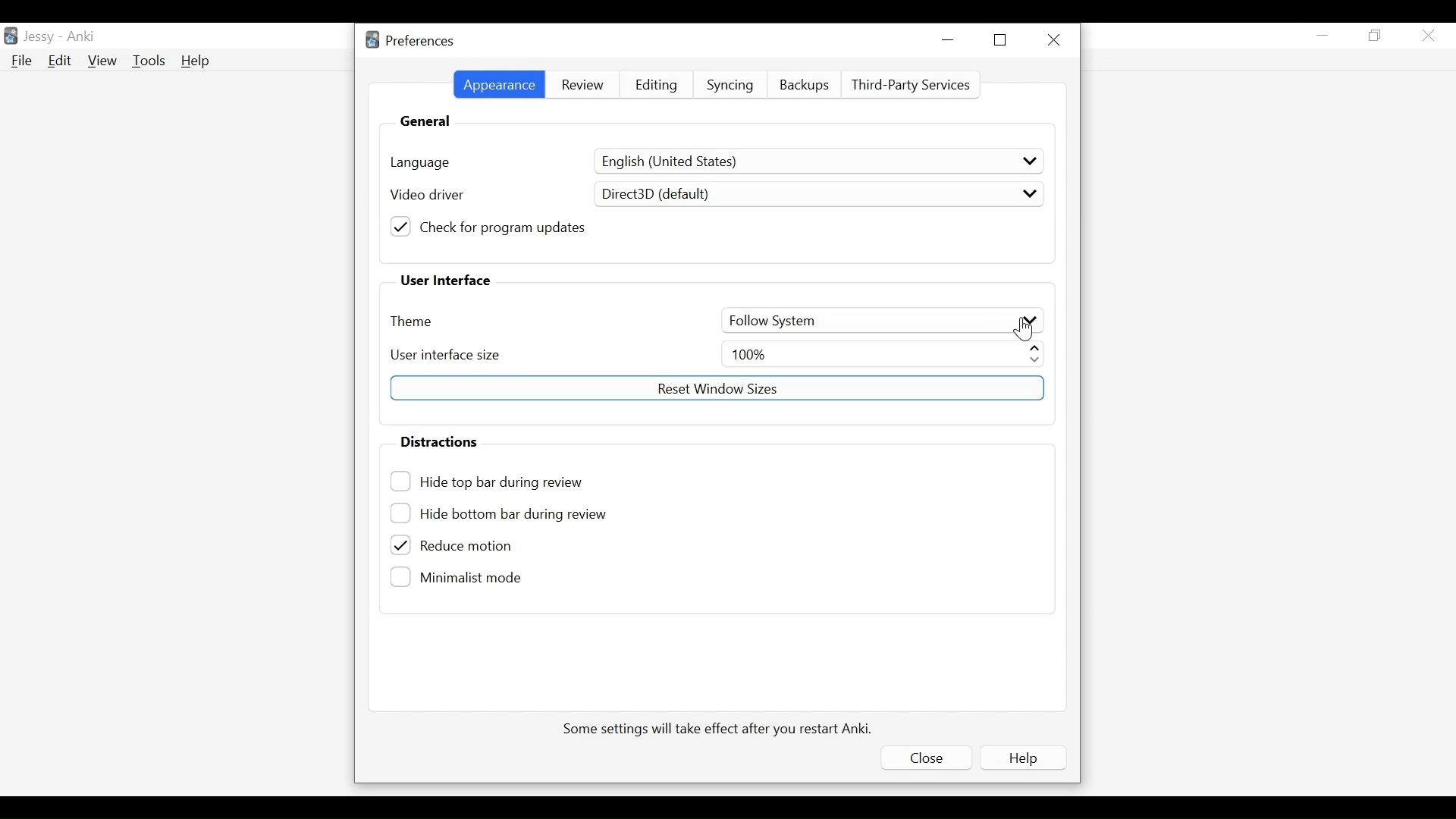 Image resolution: width=1456 pixels, height=819 pixels. Describe the element at coordinates (83, 37) in the screenshot. I see `Anki` at that location.